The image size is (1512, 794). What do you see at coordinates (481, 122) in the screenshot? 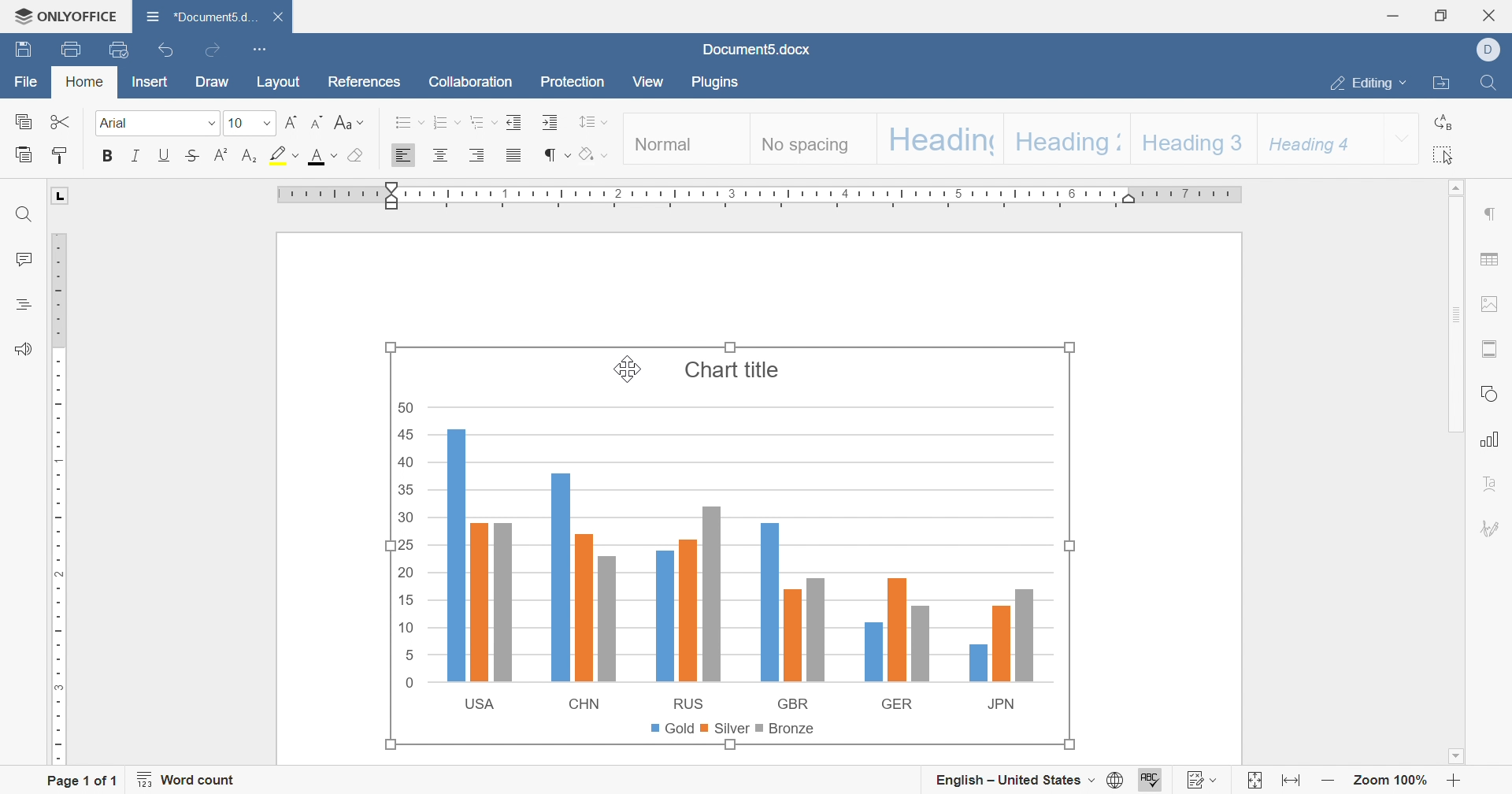
I see `multilevel list` at bounding box center [481, 122].